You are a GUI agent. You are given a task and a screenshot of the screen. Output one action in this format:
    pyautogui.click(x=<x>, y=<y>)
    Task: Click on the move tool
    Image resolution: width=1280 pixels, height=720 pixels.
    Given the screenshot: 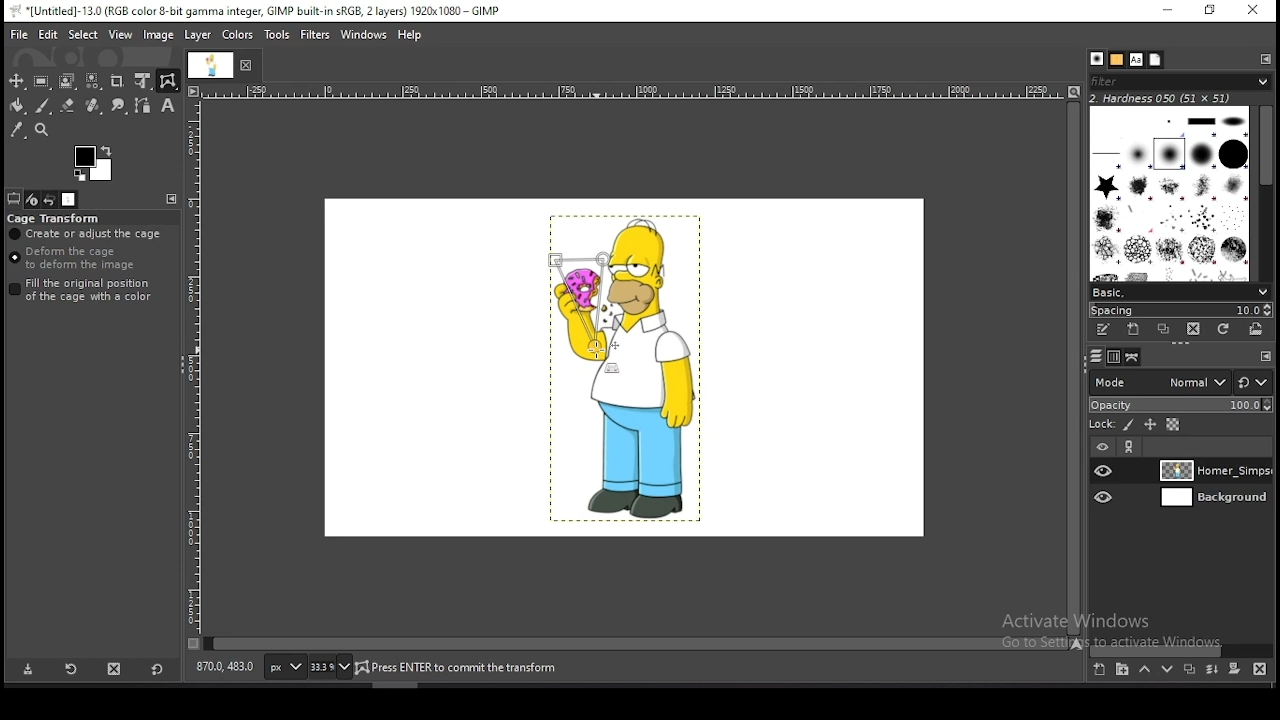 What is the action you would take?
    pyautogui.click(x=17, y=81)
    